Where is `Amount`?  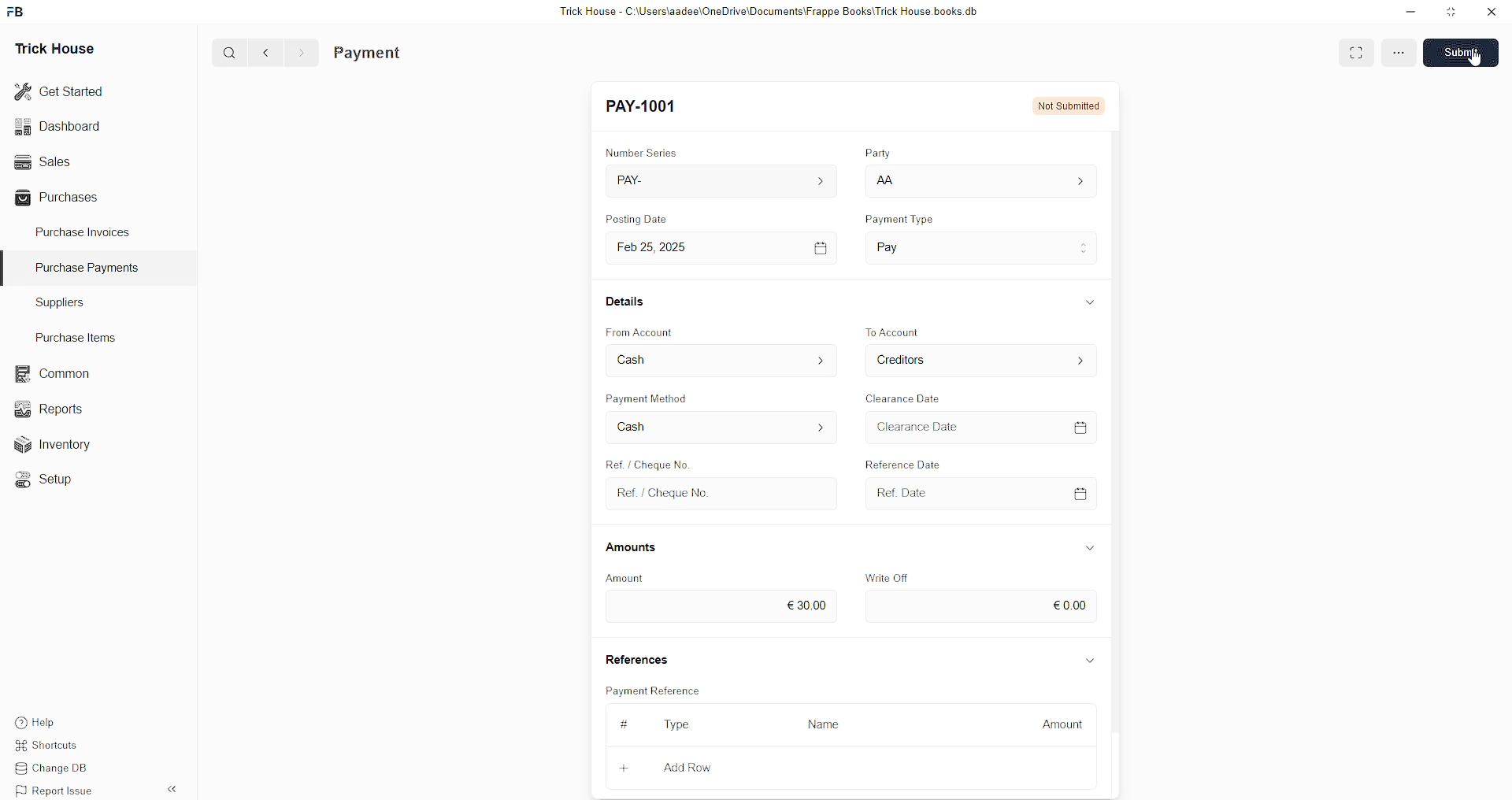 Amount is located at coordinates (642, 576).